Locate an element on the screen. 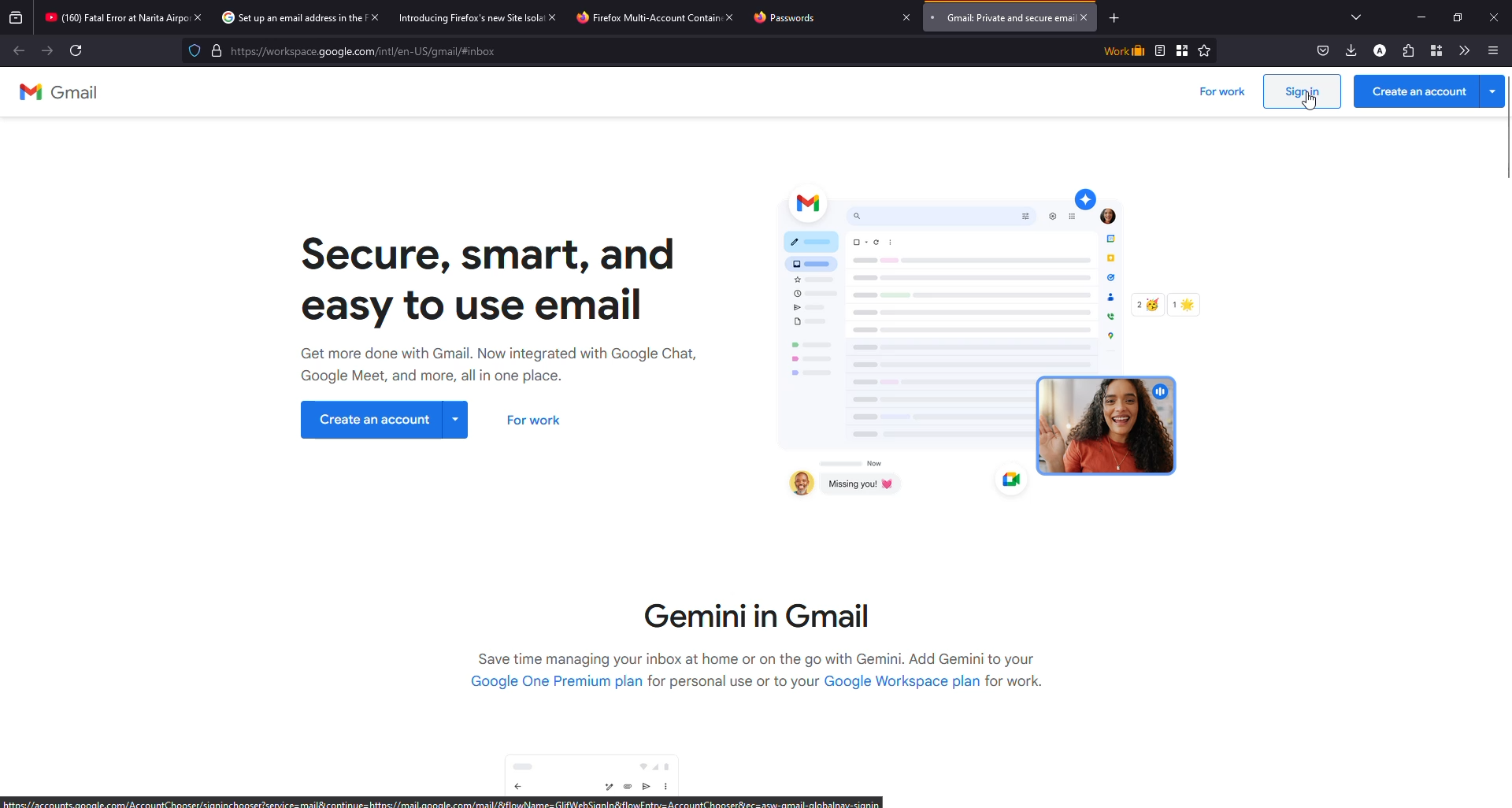 Image resolution: width=1512 pixels, height=808 pixels. close is located at coordinates (1088, 17).